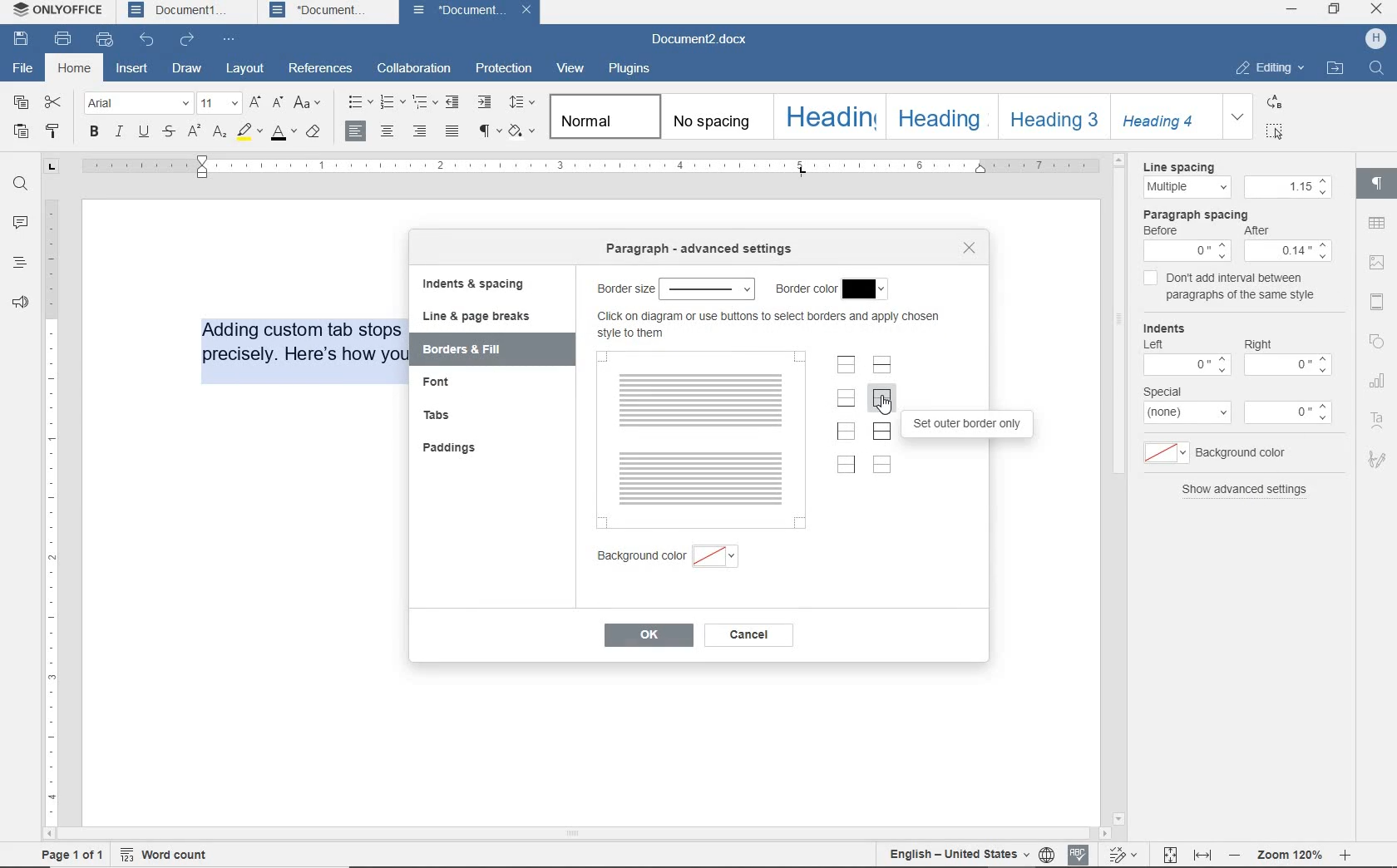 This screenshot has width=1397, height=868. What do you see at coordinates (1276, 131) in the screenshot?
I see `select all` at bounding box center [1276, 131].